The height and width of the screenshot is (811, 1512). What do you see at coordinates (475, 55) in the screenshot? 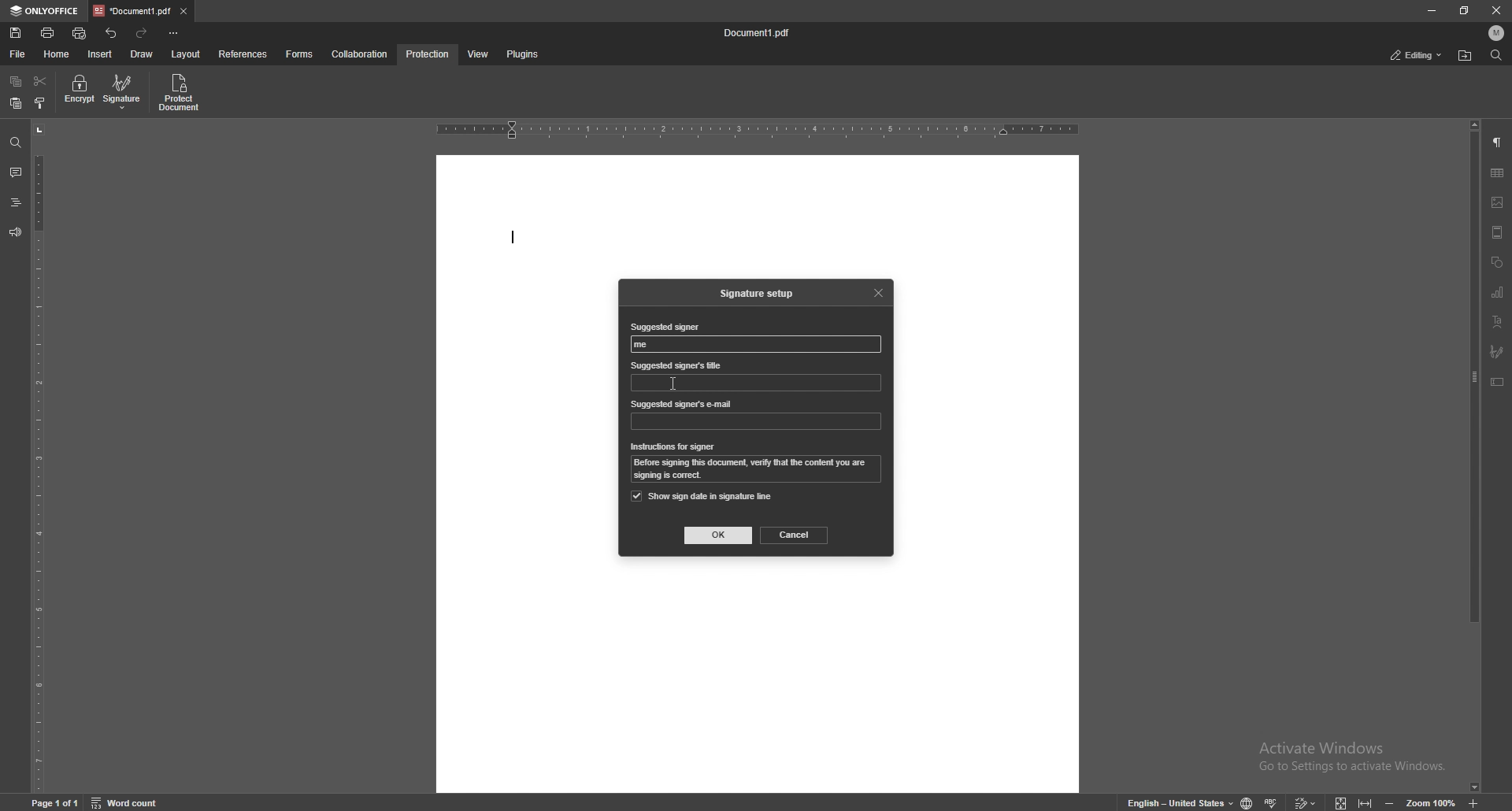
I see `view` at bounding box center [475, 55].